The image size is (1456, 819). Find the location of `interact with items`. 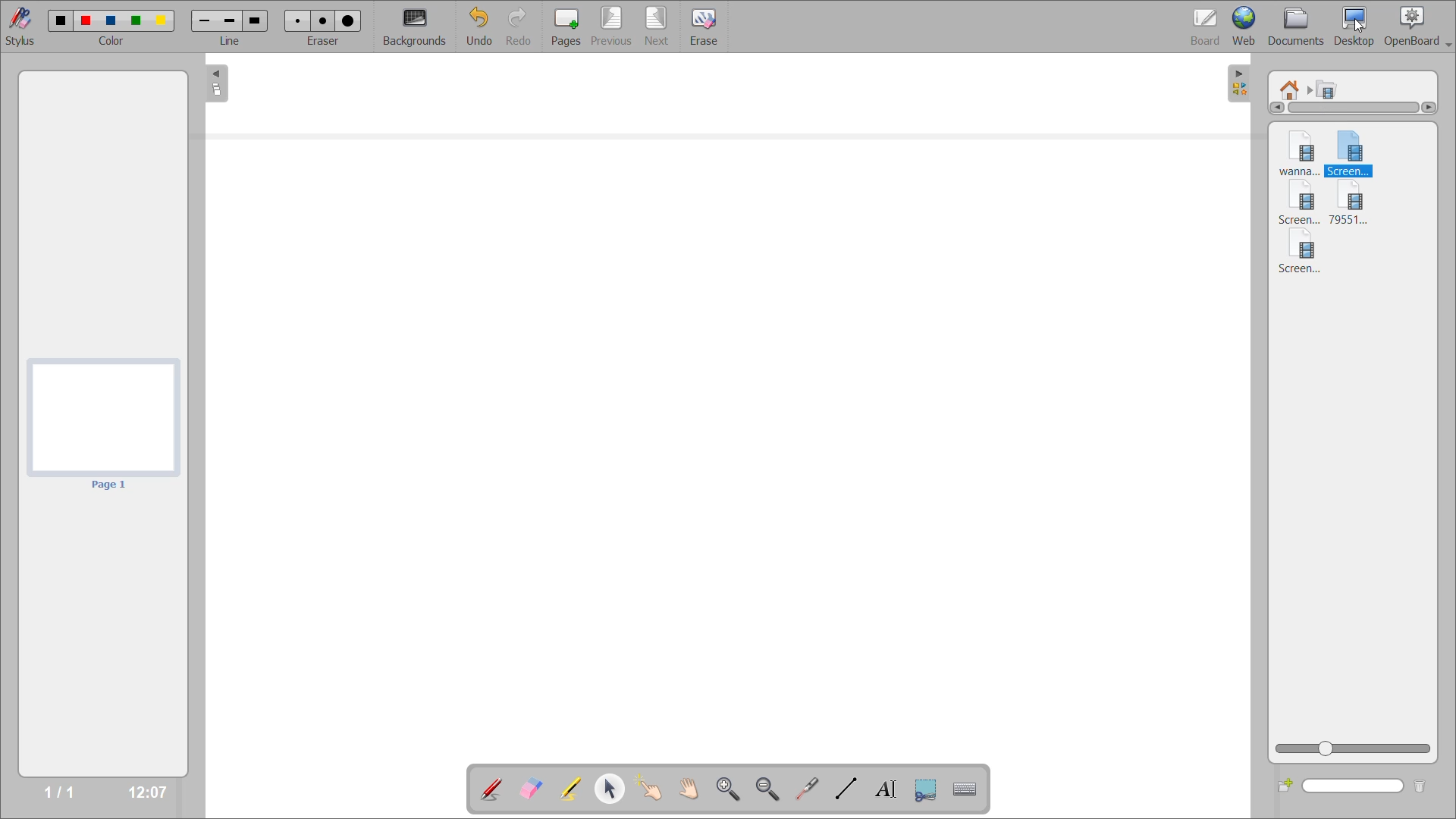

interact with items is located at coordinates (655, 792).